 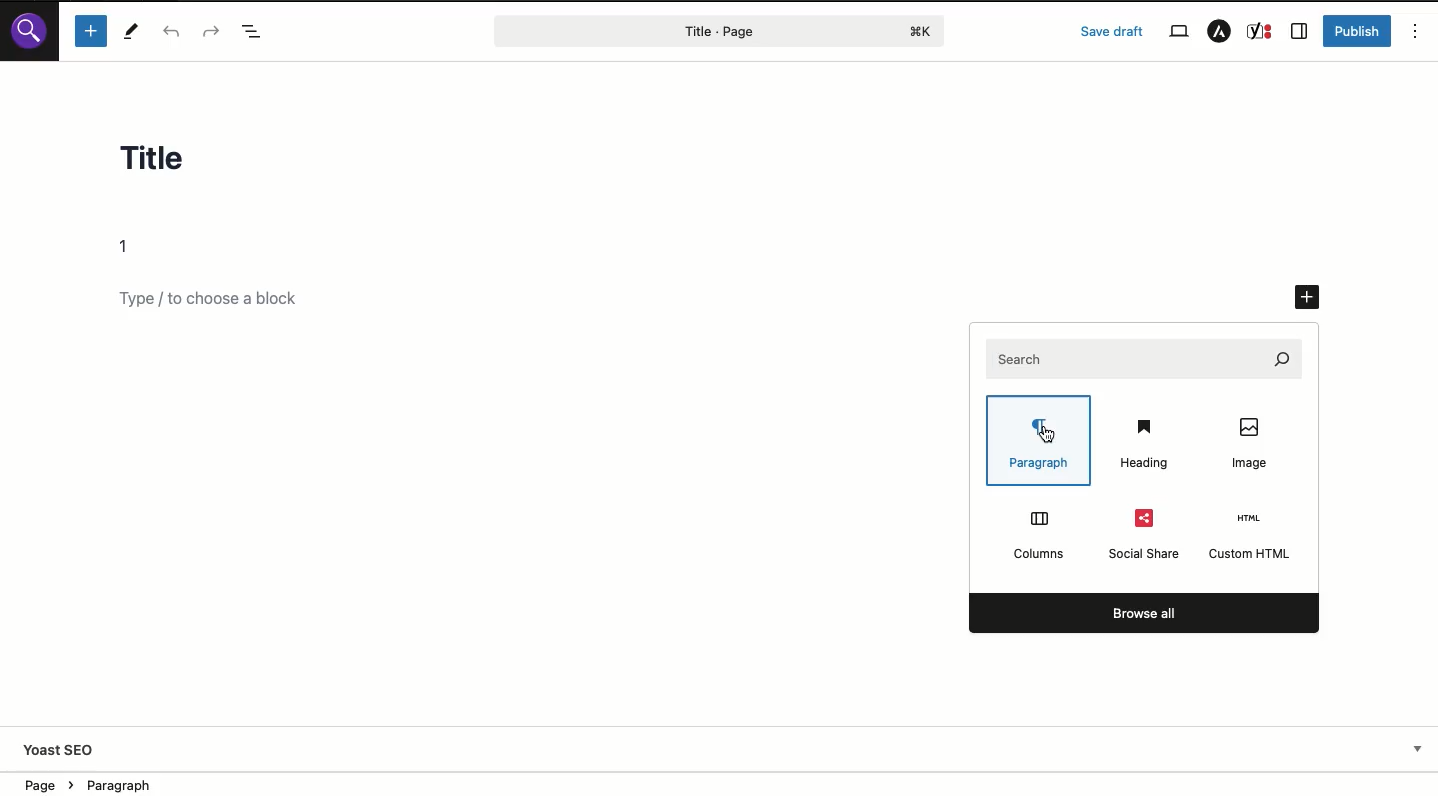 I want to click on Add block, so click(x=90, y=31).